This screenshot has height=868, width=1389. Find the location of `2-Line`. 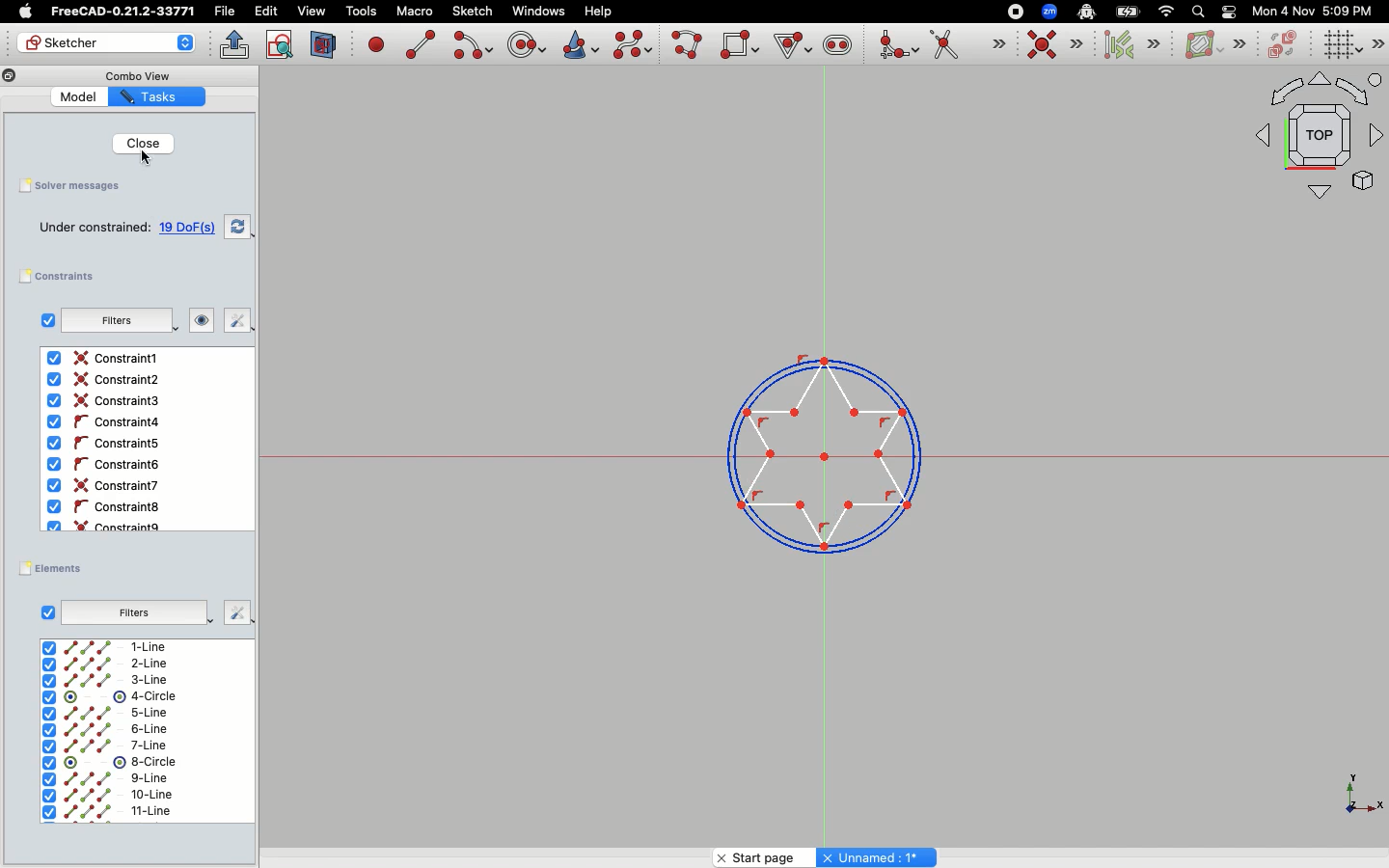

2-Line is located at coordinates (118, 664).